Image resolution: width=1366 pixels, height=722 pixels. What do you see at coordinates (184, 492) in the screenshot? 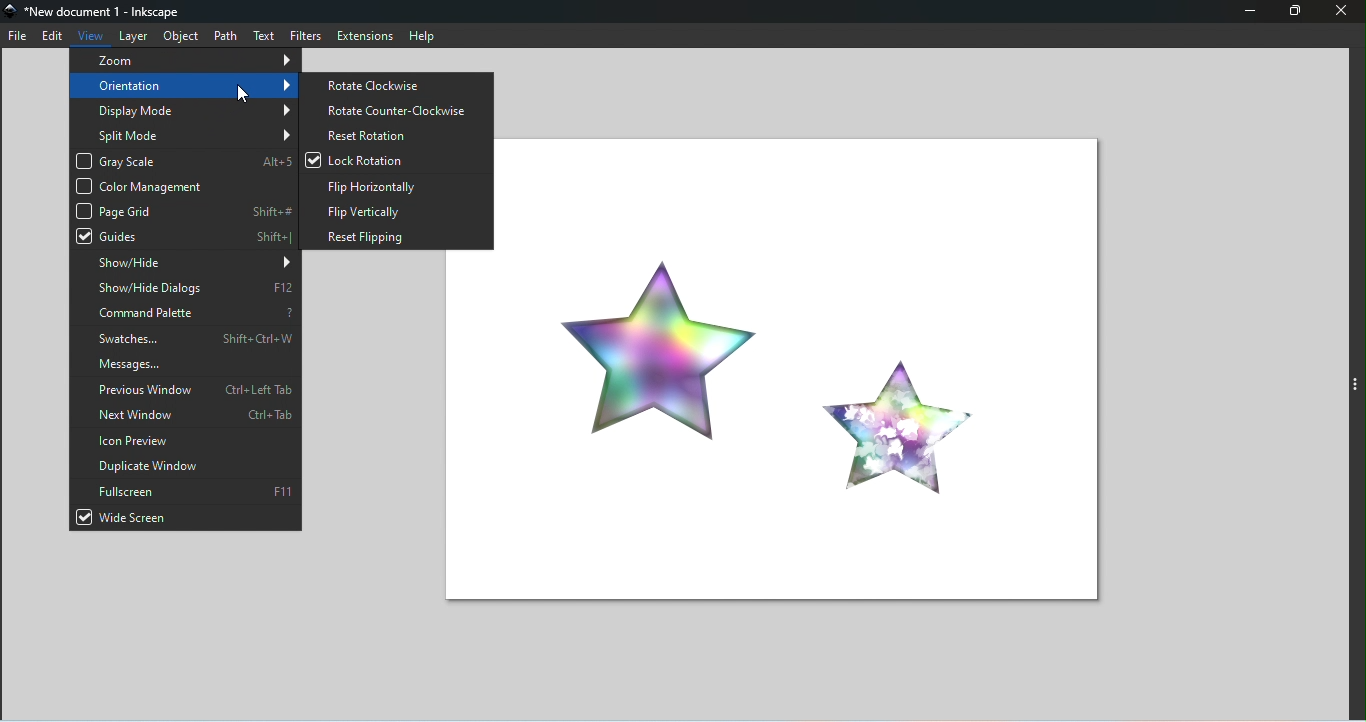
I see `Fullscreen` at bounding box center [184, 492].